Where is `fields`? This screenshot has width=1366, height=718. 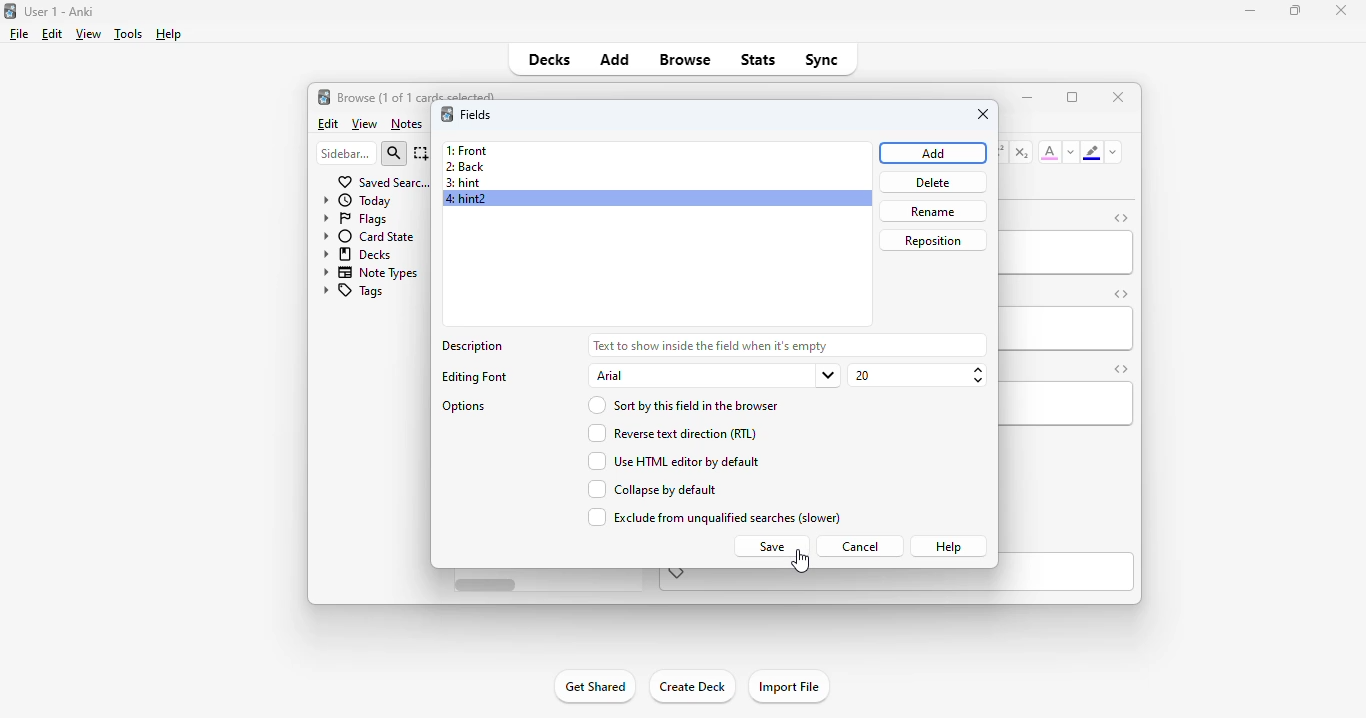 fields is located at coordinates (476, 115).